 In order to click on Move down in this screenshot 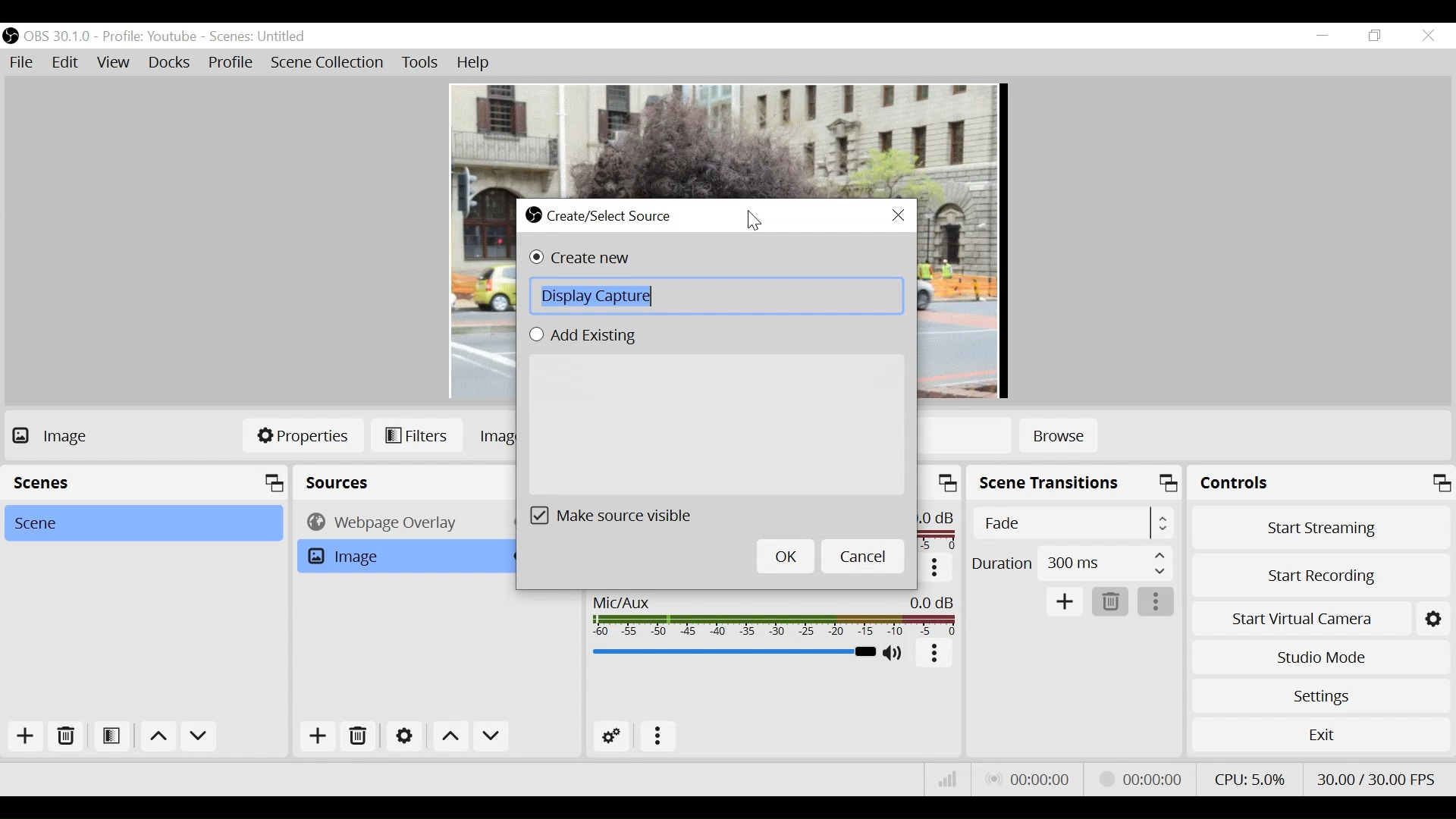, I will do `click(491, 736)`.